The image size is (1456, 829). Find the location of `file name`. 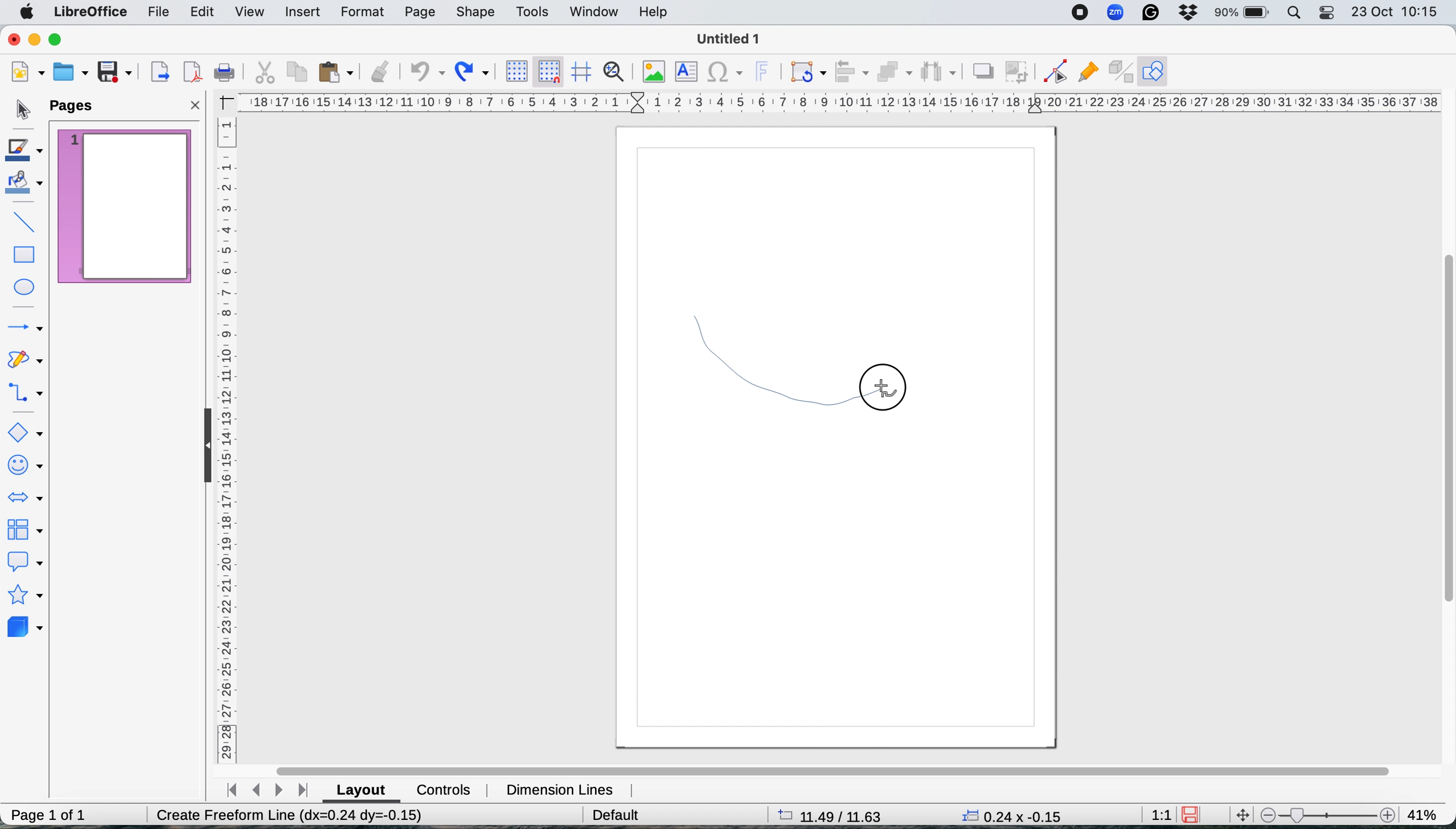

file name is located at coordinates (736, 38).